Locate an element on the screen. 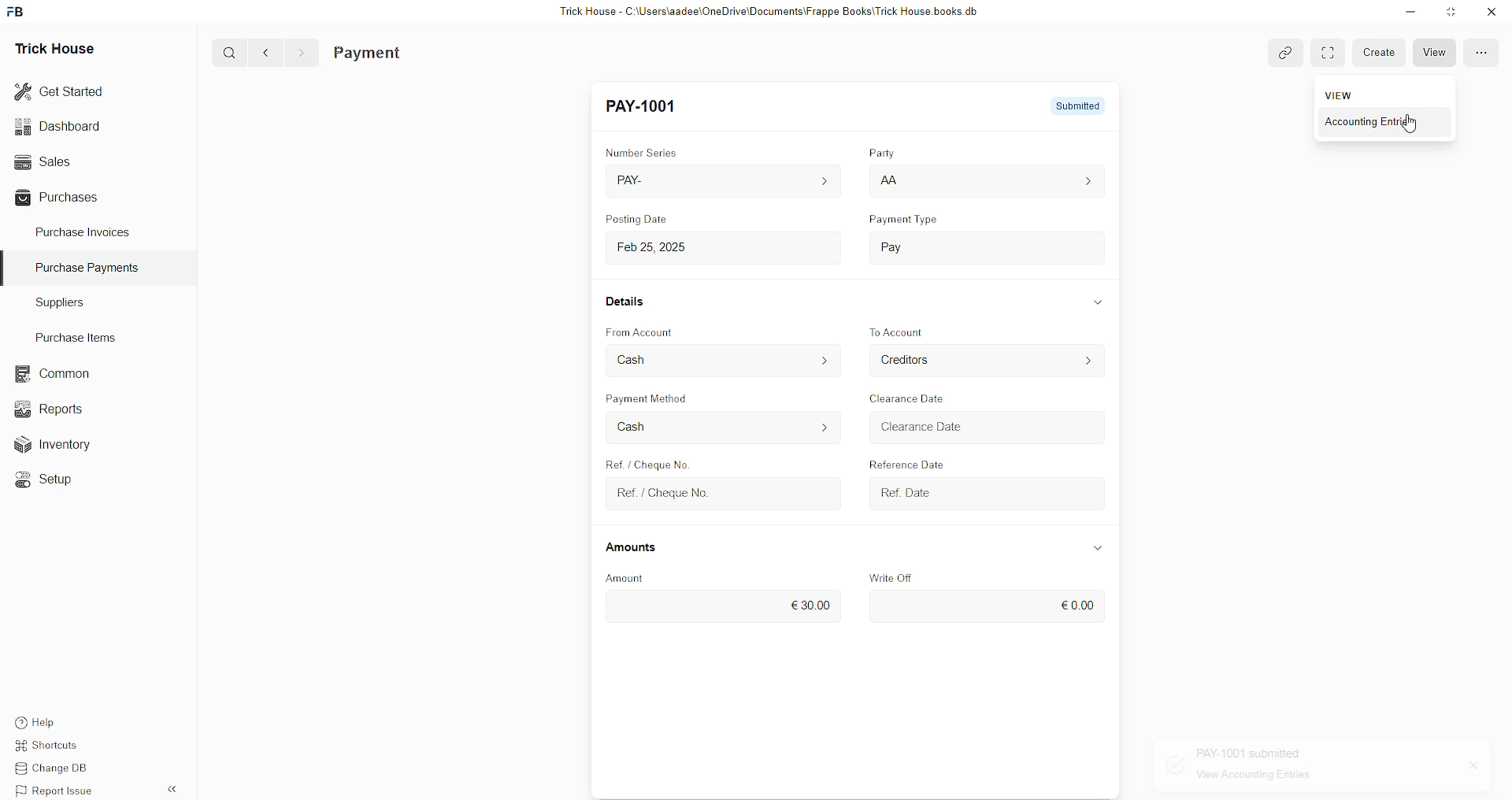  Purchase Invoice is located at coordinates (406, 53).